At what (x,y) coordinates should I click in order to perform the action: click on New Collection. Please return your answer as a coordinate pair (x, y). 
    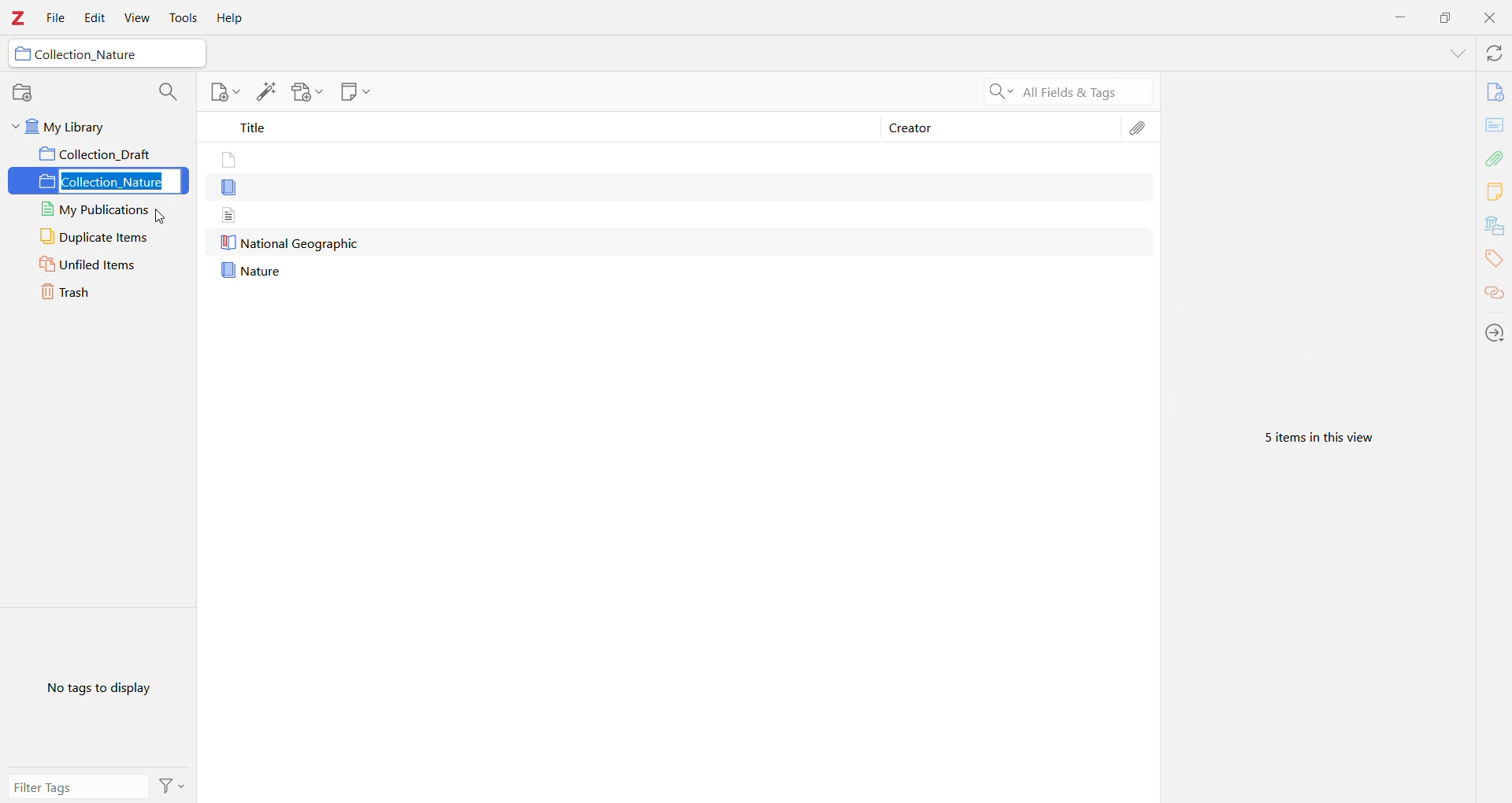
    Looking at the image, I should click on (23, 94).